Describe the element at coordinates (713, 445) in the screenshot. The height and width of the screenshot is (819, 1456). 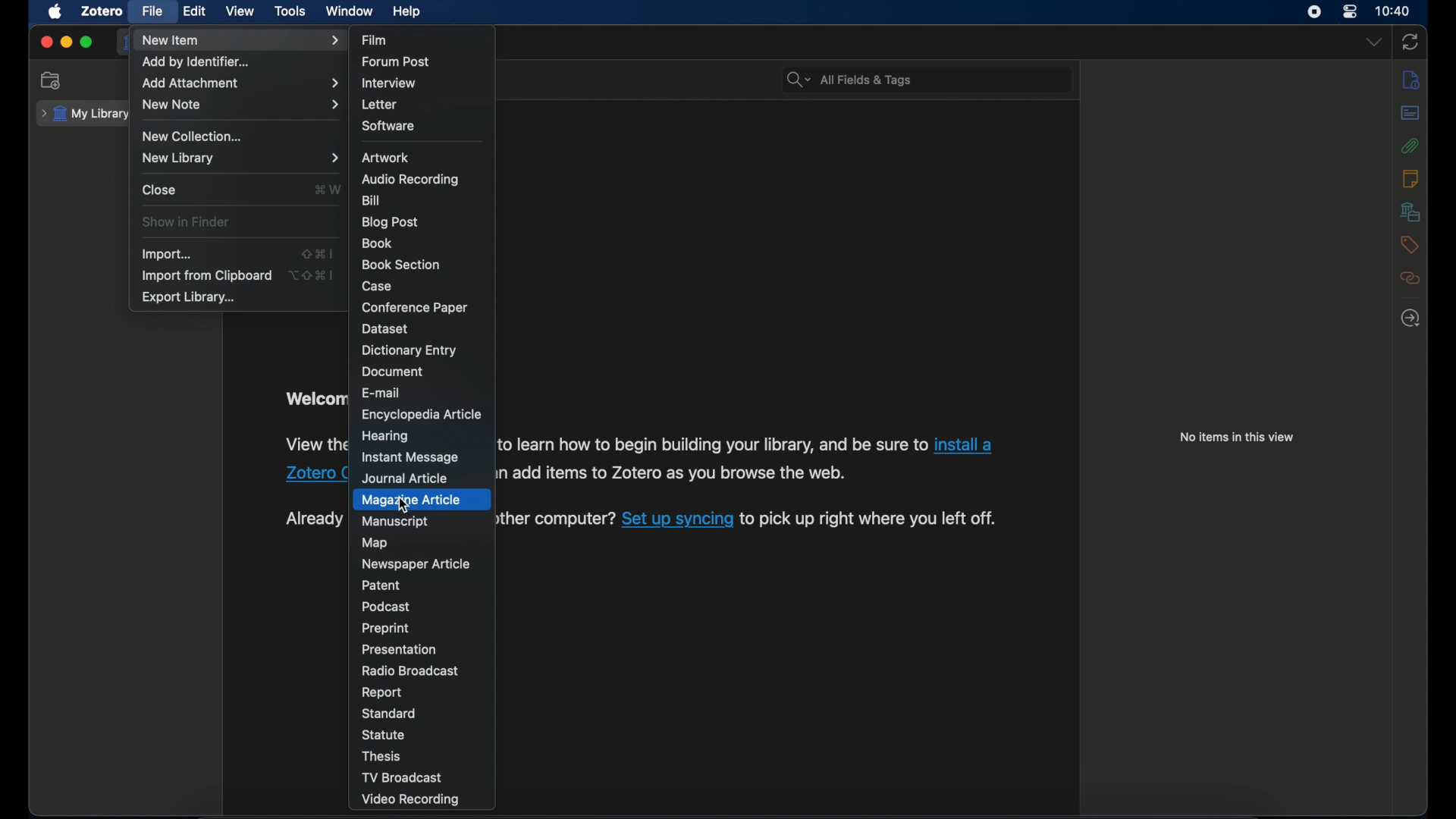
I see `to learn how to begin building your library, and be sure to` at that location.